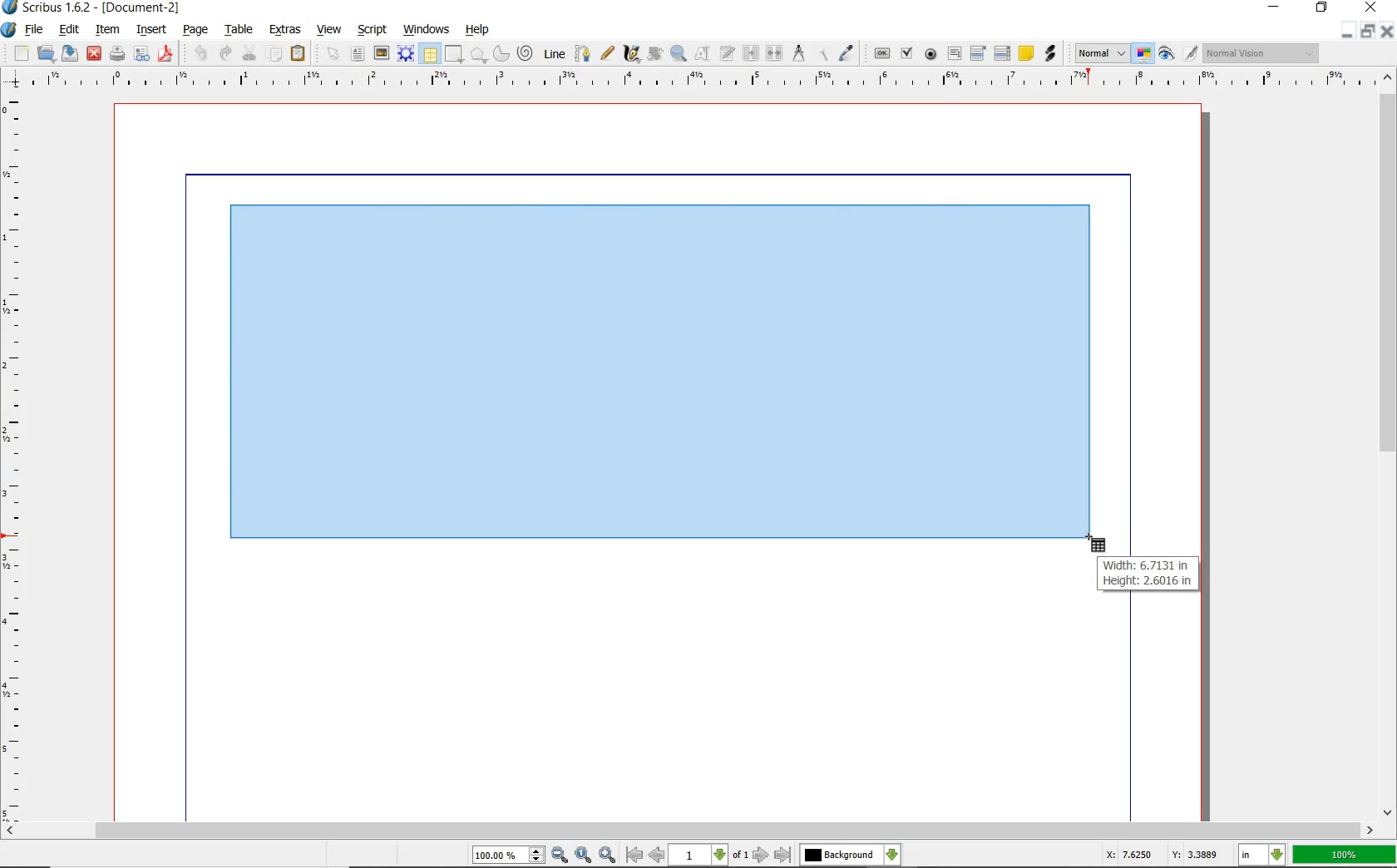  I want to click on preview mode, so click(1164, 55).